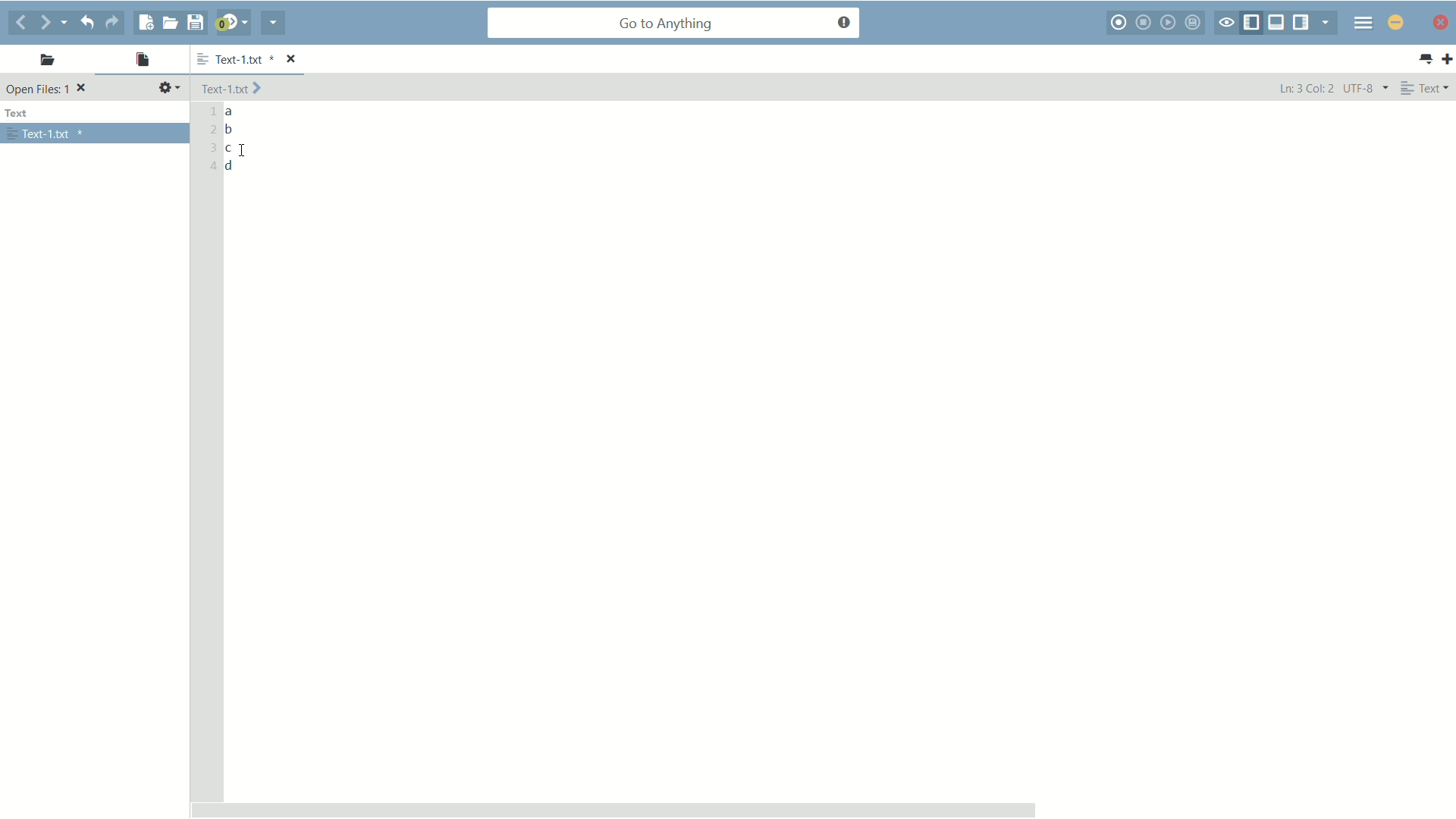 Image resolution: width=1456 pixels, height=819 pixels. I want to click on text, so click(20, 114).